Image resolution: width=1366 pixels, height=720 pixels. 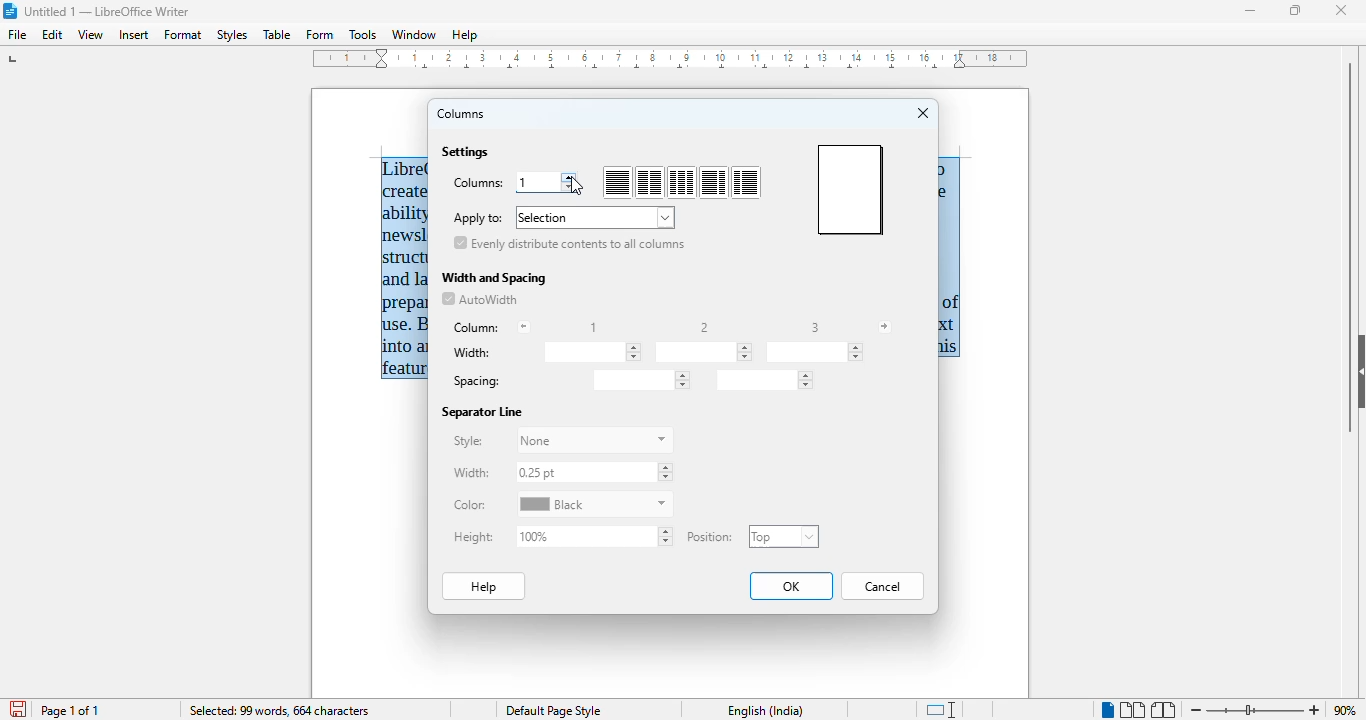 What do you see at coordinates (884, 327) in the screenshot?
I see `forward arrow` at bounding box center [884, 327].